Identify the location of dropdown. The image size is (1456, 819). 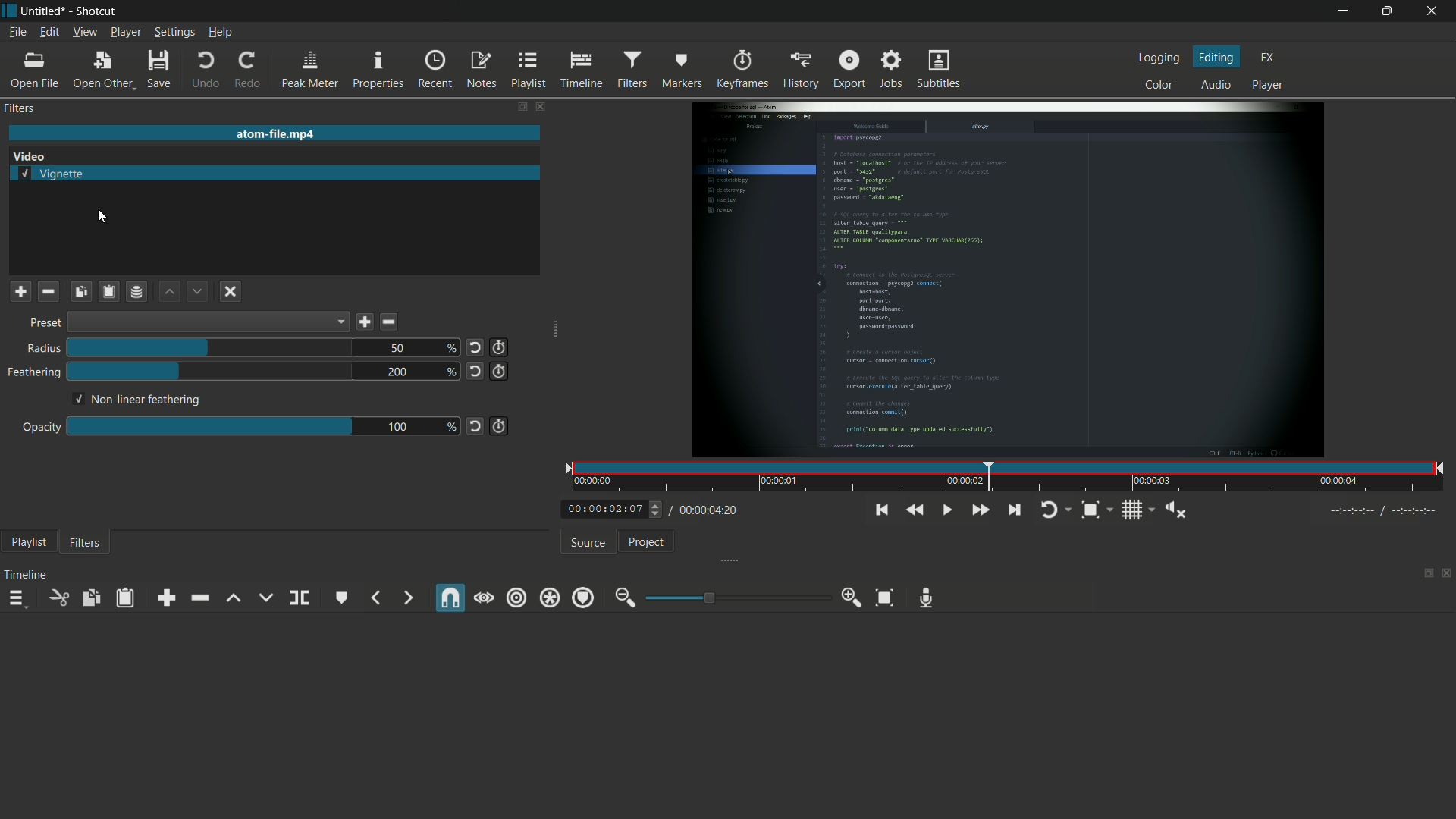
(208, 322).